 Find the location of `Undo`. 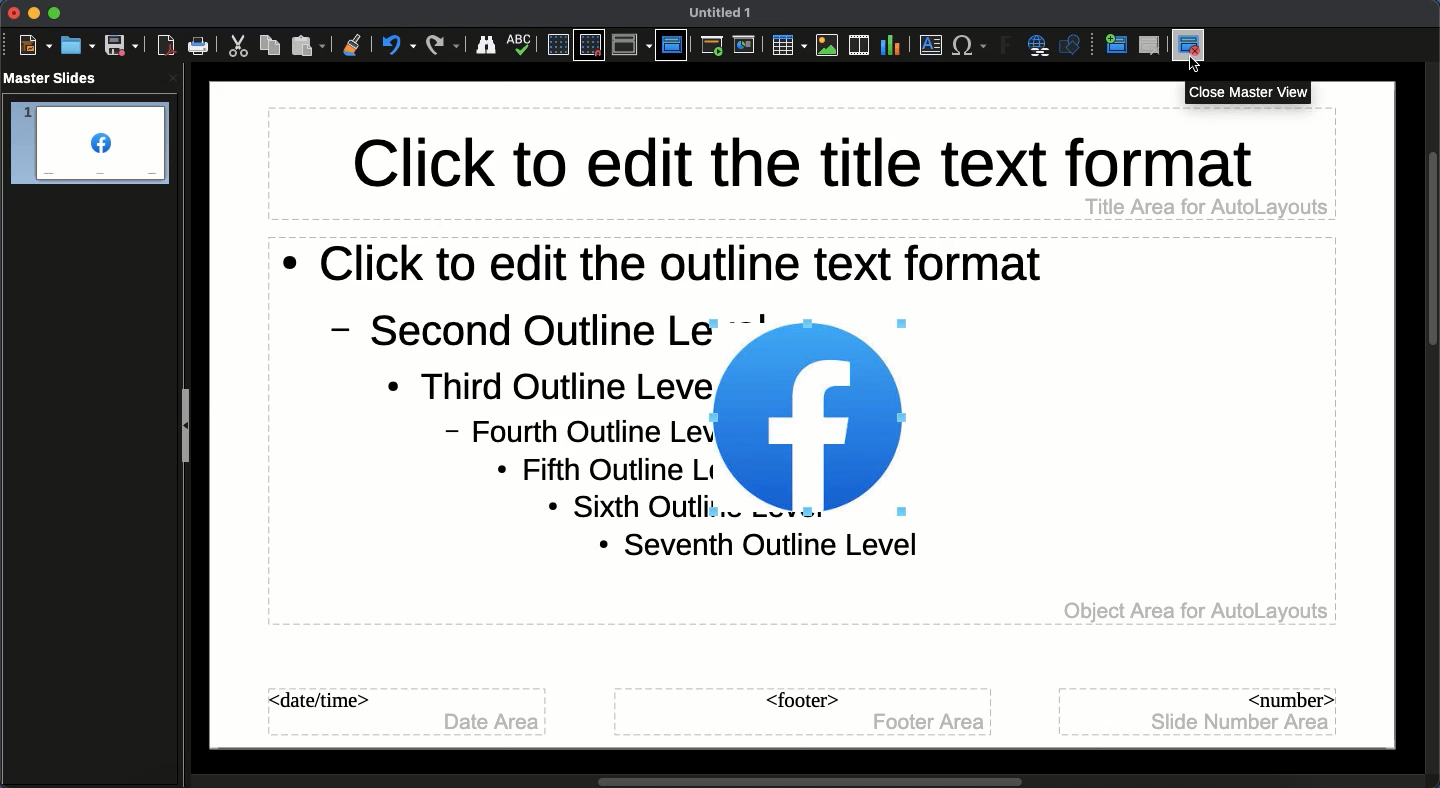

Undo is located at coordinates (399, 45).